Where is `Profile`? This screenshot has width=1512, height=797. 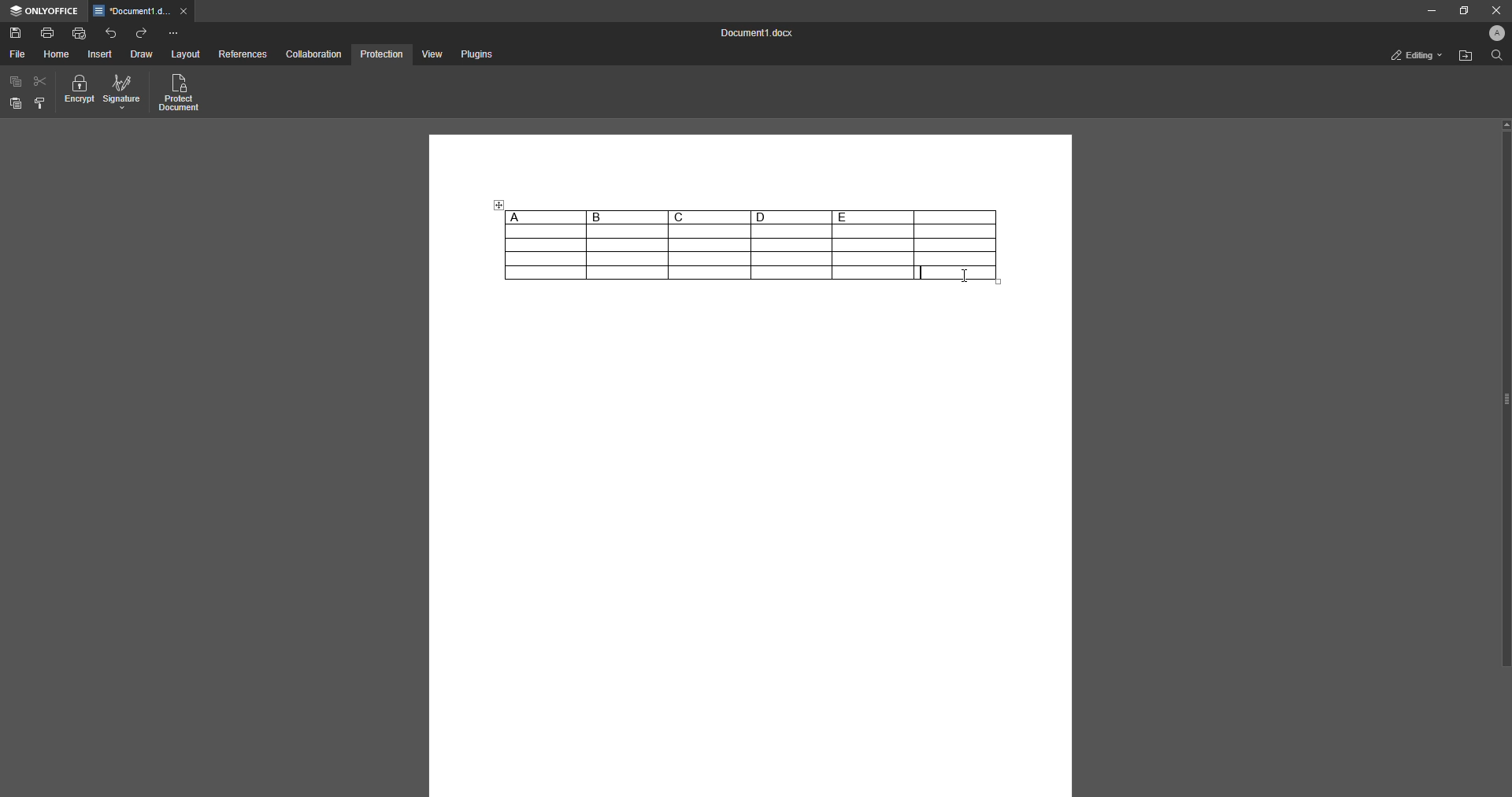 Profile is located at coordinates (1493, 35).